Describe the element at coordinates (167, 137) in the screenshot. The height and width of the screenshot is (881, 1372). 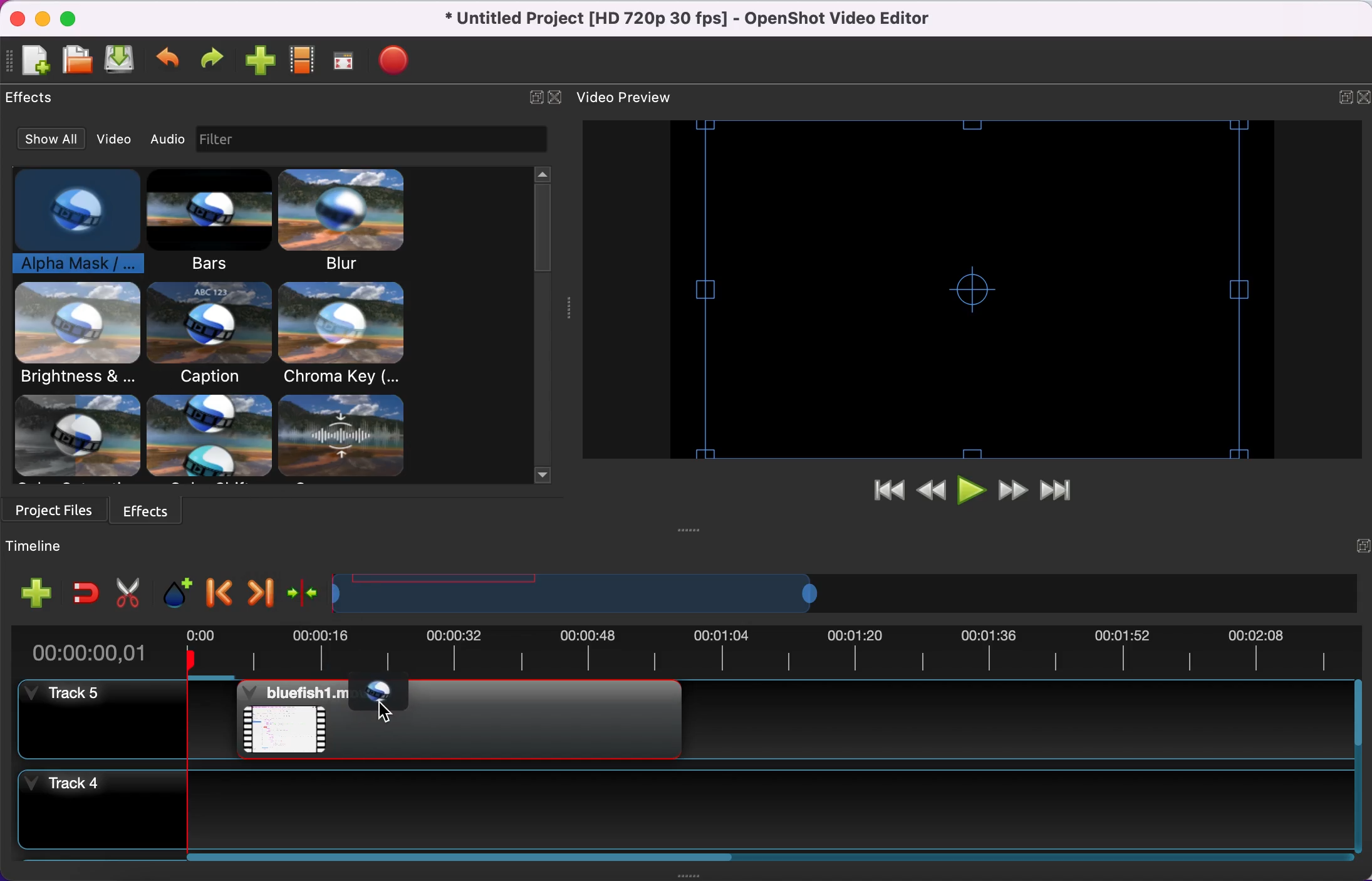
I see `audio` at that location.